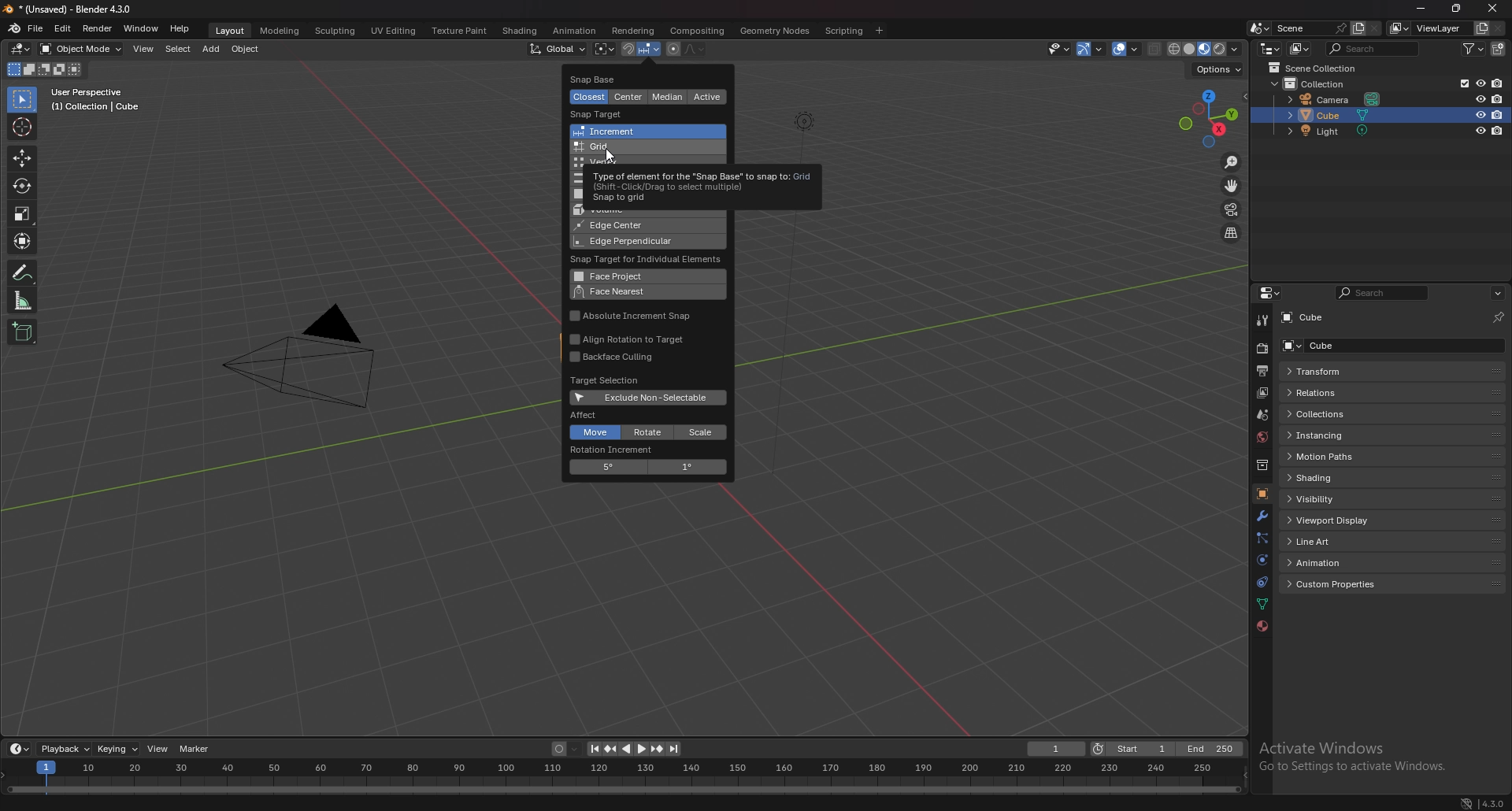 The width and height of the screenshot is (1512, 811). Describe the element at coordinates (594, 433) in the screenshot. I see `move` at that location.